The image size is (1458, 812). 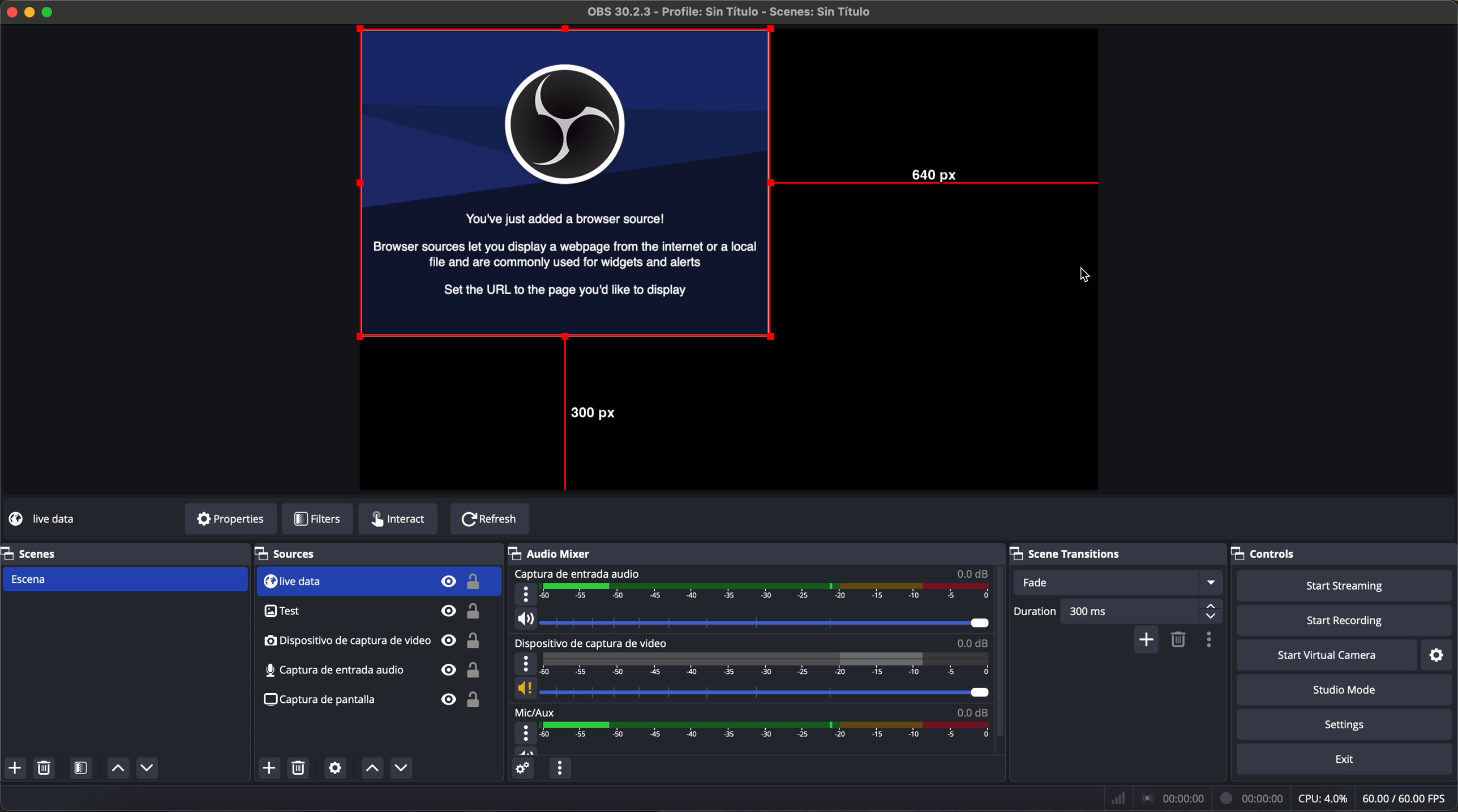 I want to click on remove selected scene, so click(x=1179, y=641).